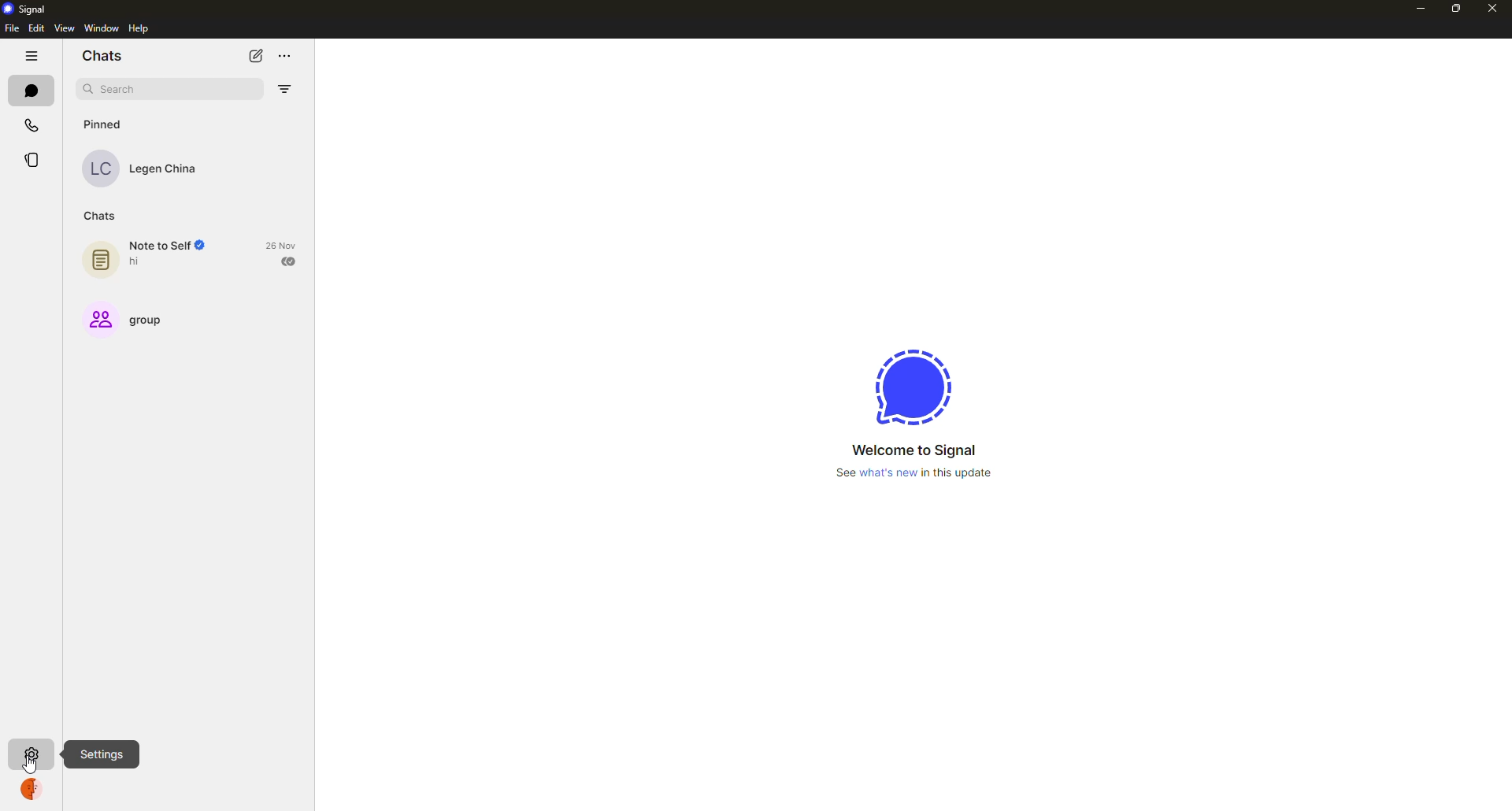  Describe the element at coordinates (150, 169) in the screenshot. I see `contact` at that location.